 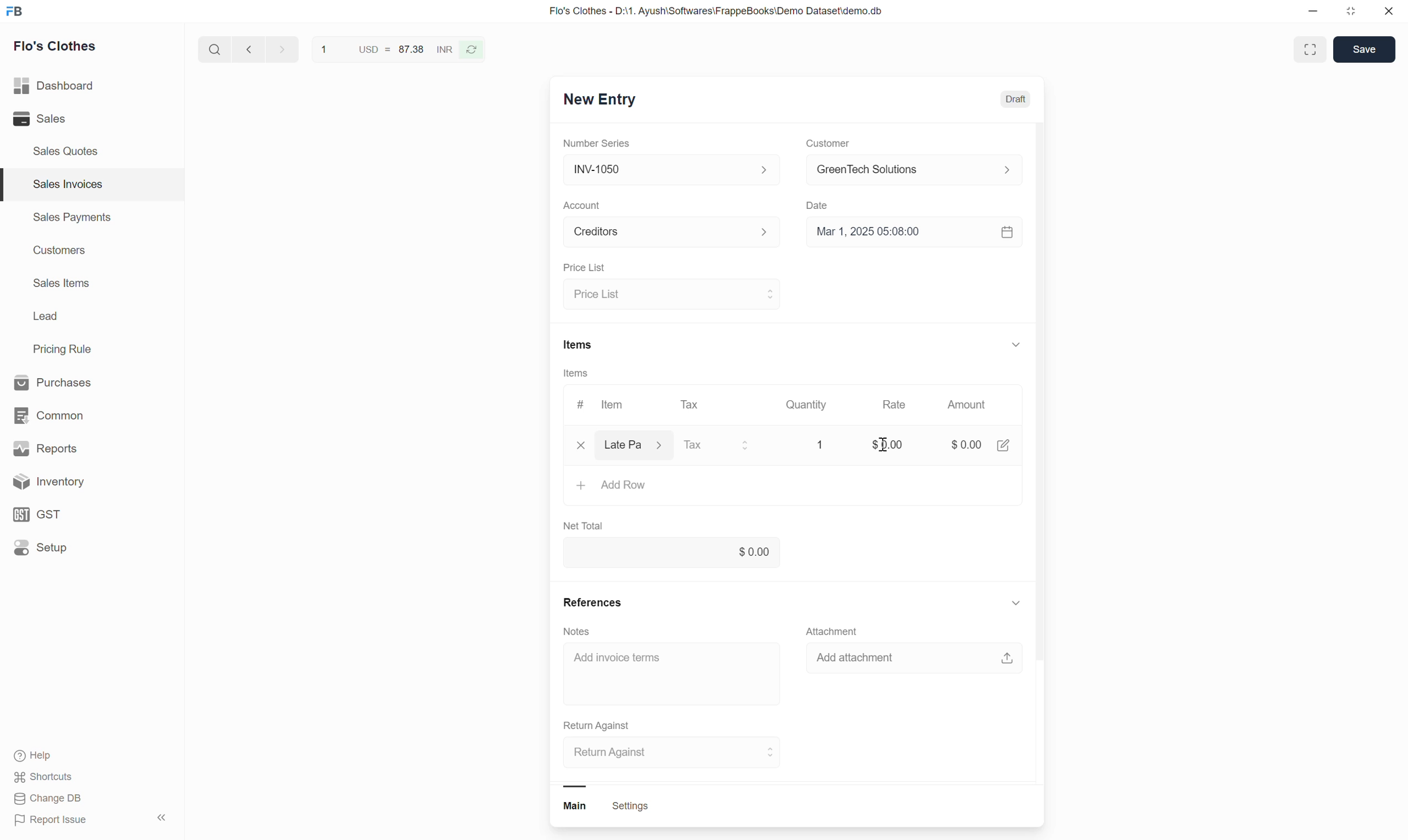 What do you see at coordinates (582, 268) in the screenshot?
I see `Price List` at bounding box center [582, 268].